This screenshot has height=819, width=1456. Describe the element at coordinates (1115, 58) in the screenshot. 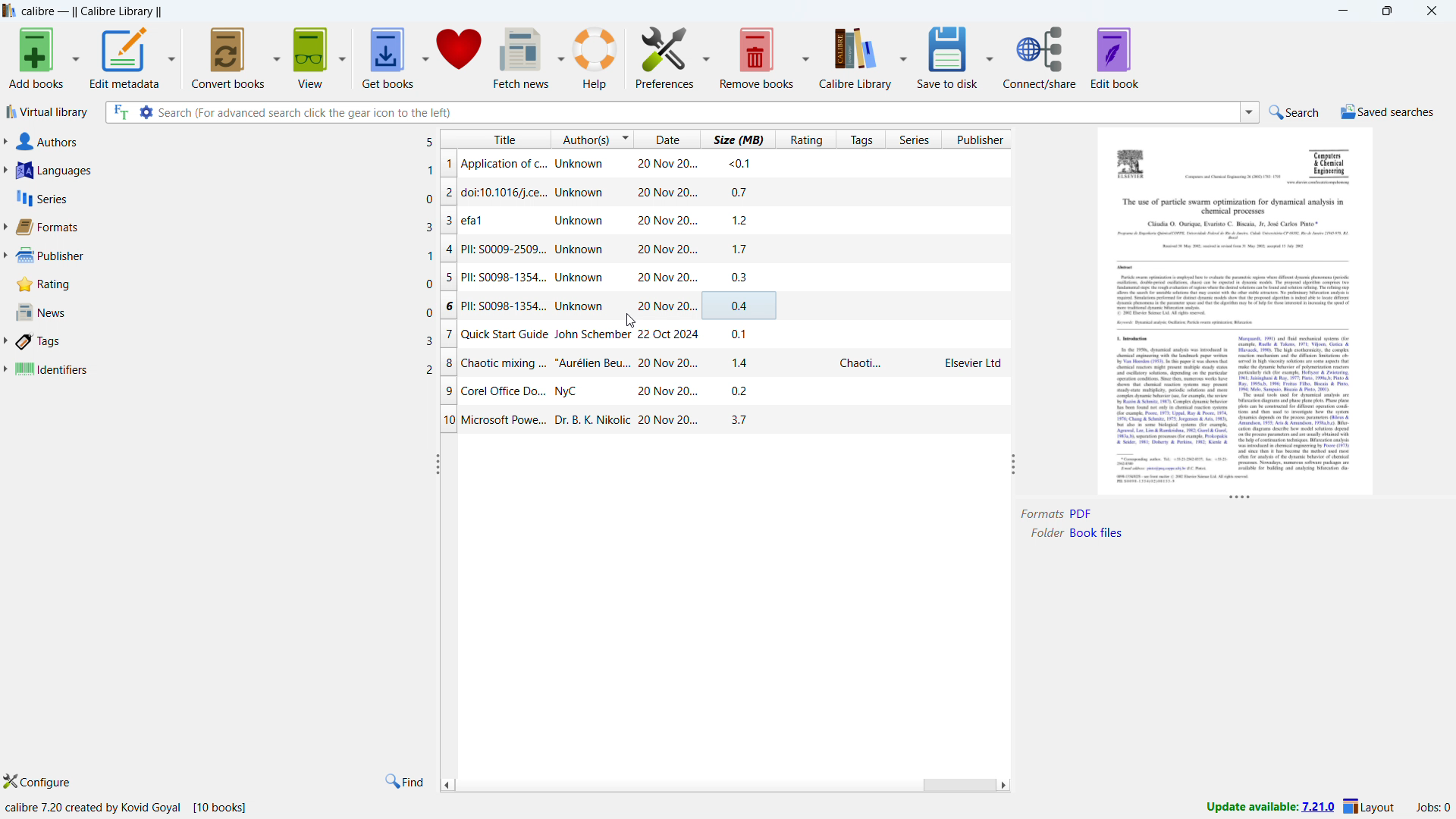

I see `edit book` at that location.